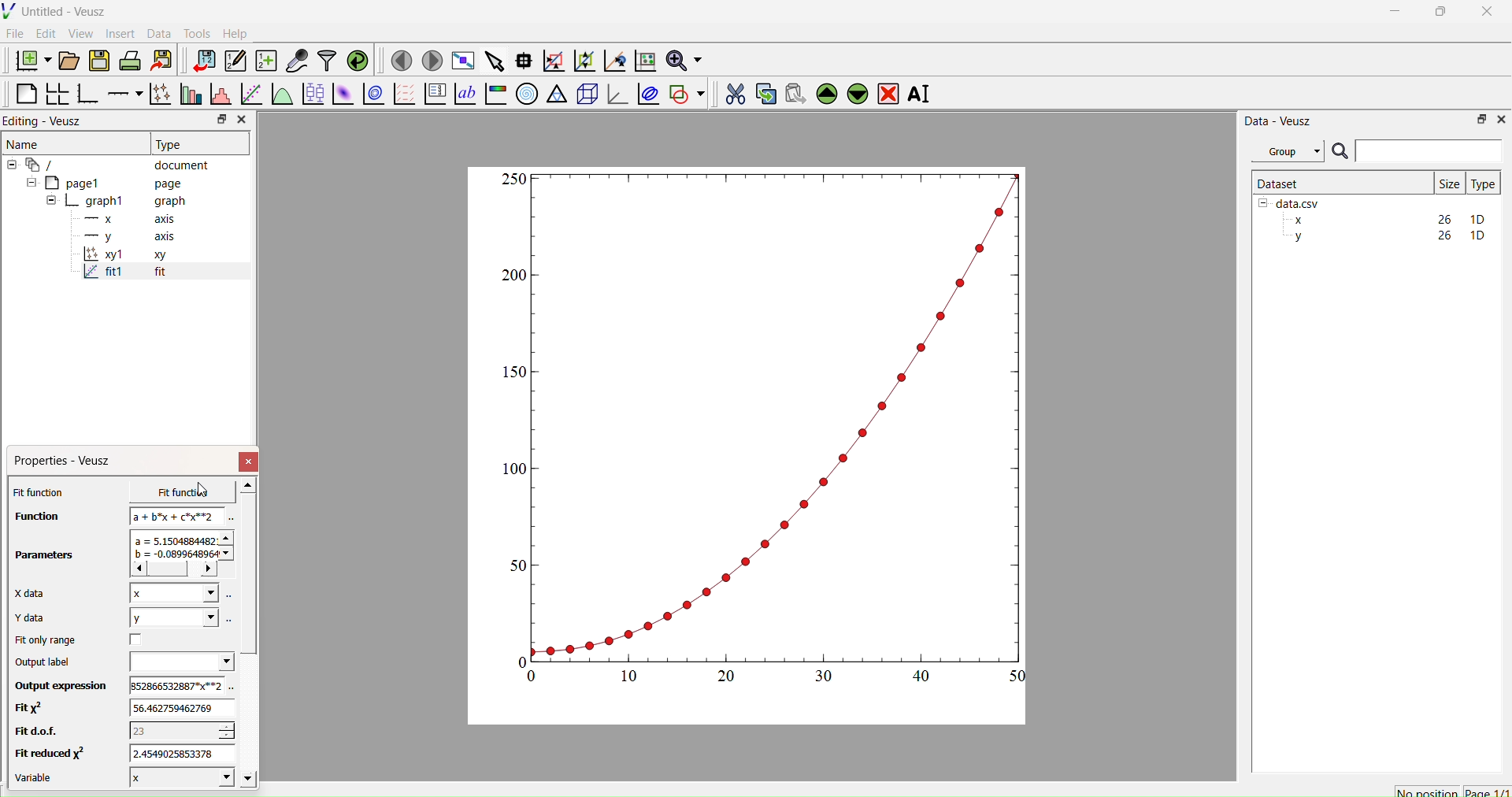  I want to click on Close, so click(250, 462).